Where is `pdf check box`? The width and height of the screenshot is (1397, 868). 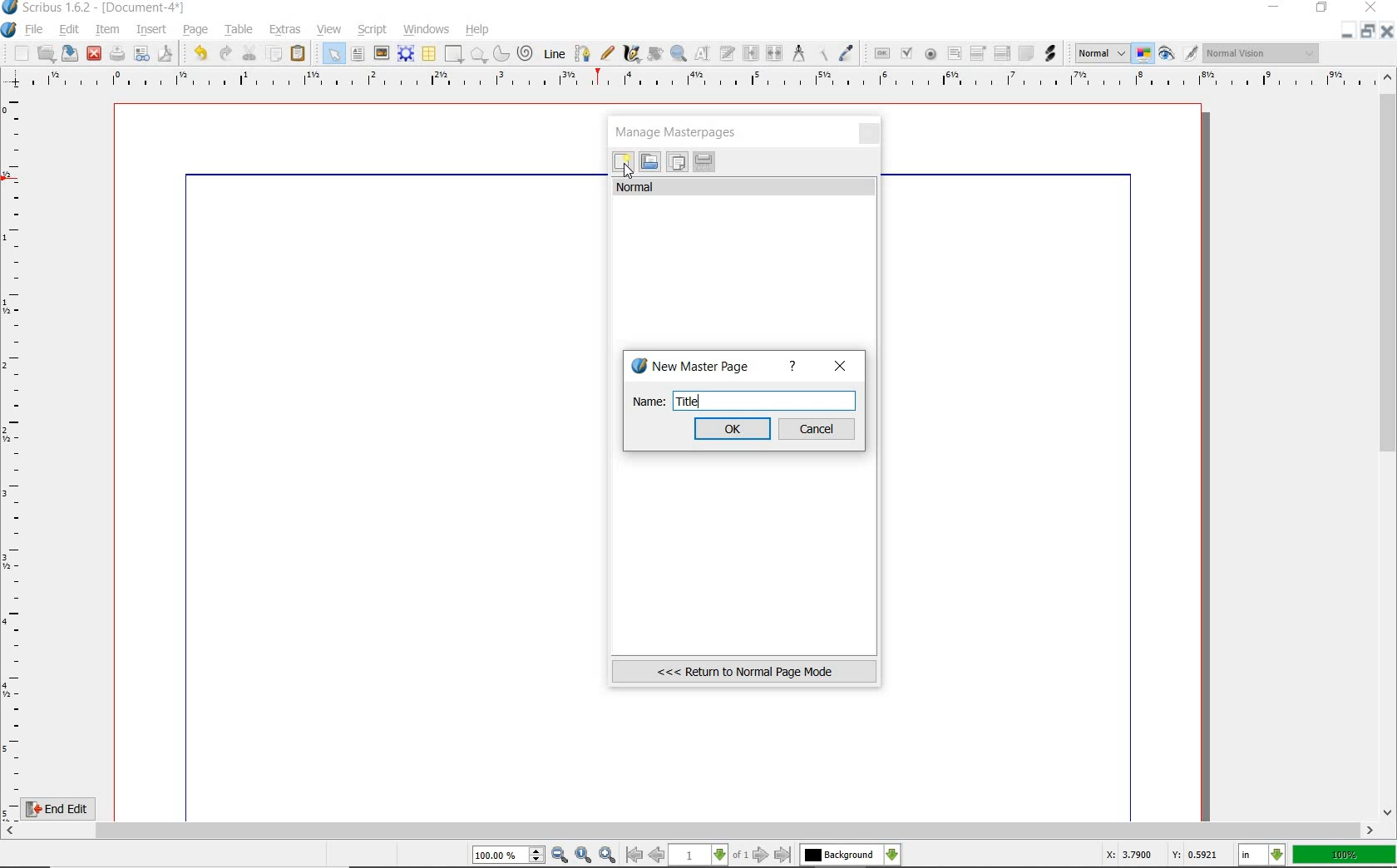 pdf check box is located at coordinates (906, 53).